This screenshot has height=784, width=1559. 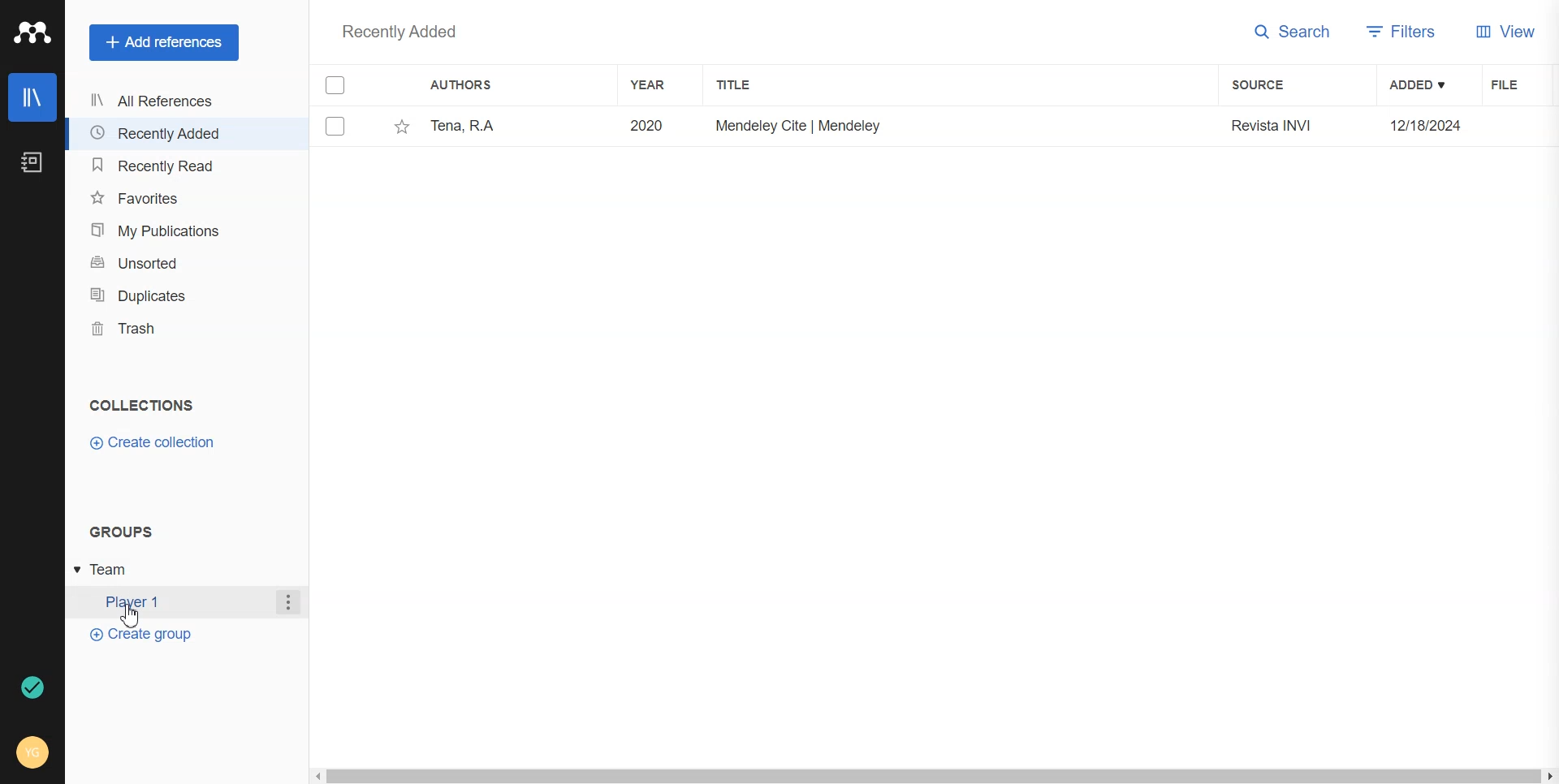 I want to click on Horizontal Scroll bar, so click(x=933, y=776).